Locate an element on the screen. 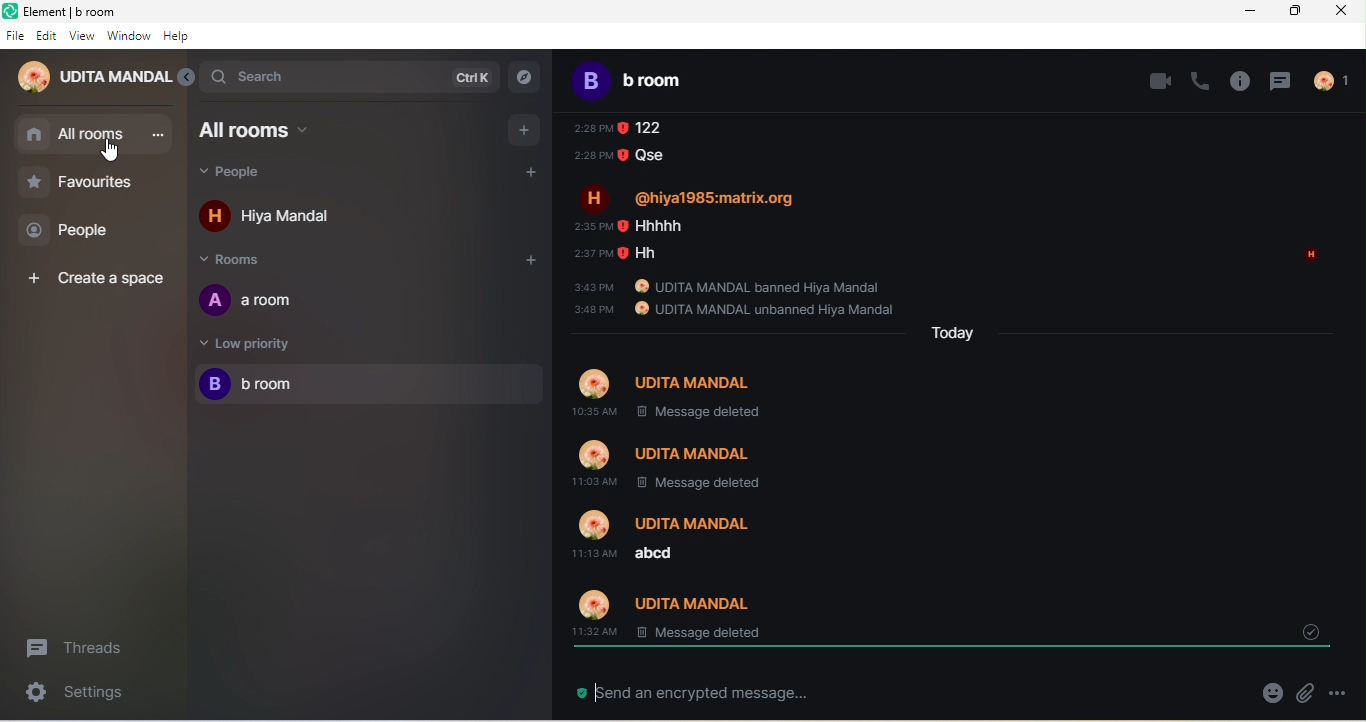 The image size is (1366, 722). cursor is located at coordinates (111, 154).